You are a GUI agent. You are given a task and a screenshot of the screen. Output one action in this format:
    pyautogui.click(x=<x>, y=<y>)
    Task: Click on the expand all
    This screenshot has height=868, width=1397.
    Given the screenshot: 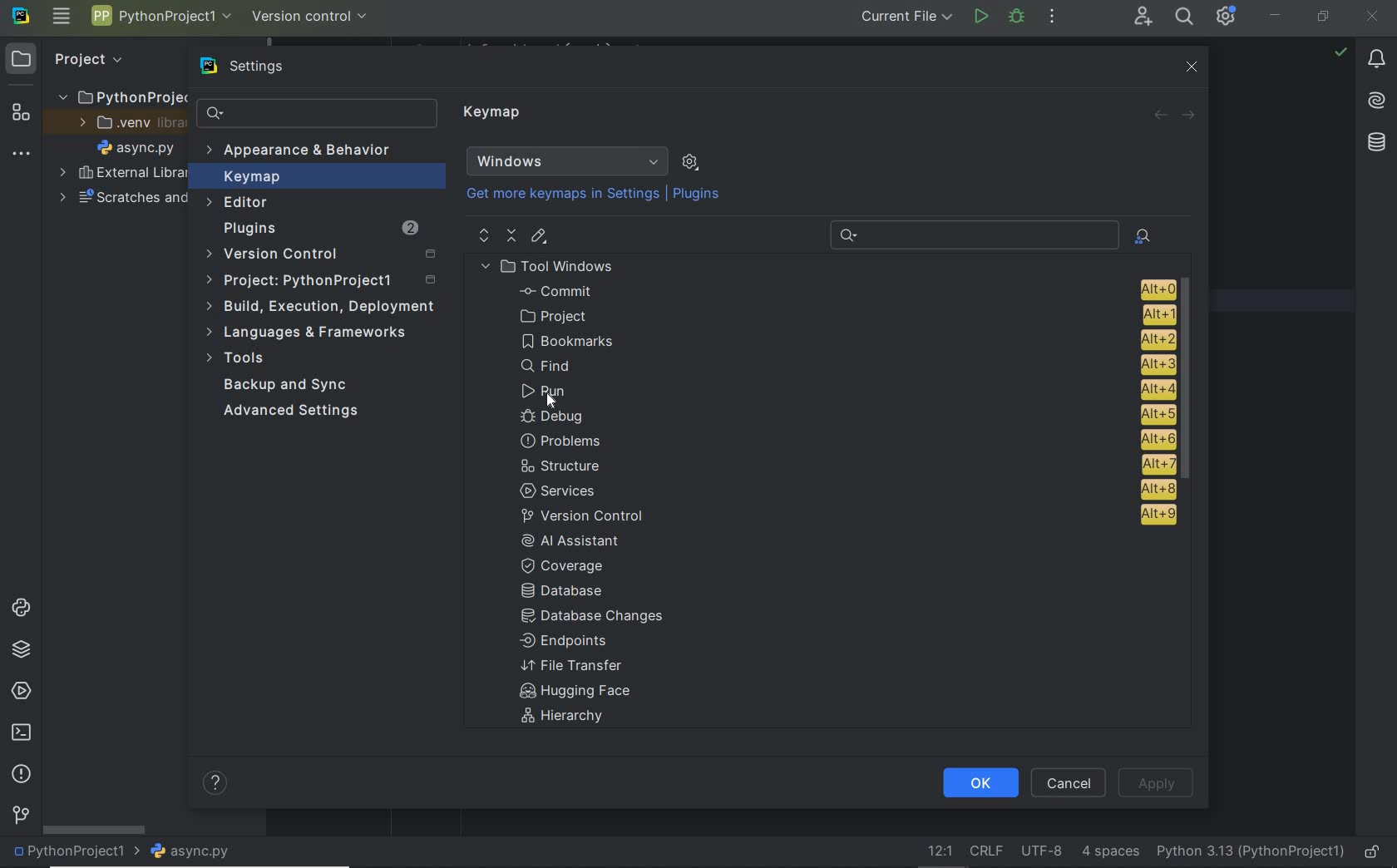 What is the action you would take?
    pyautogui.click(x=482, y=235)
    